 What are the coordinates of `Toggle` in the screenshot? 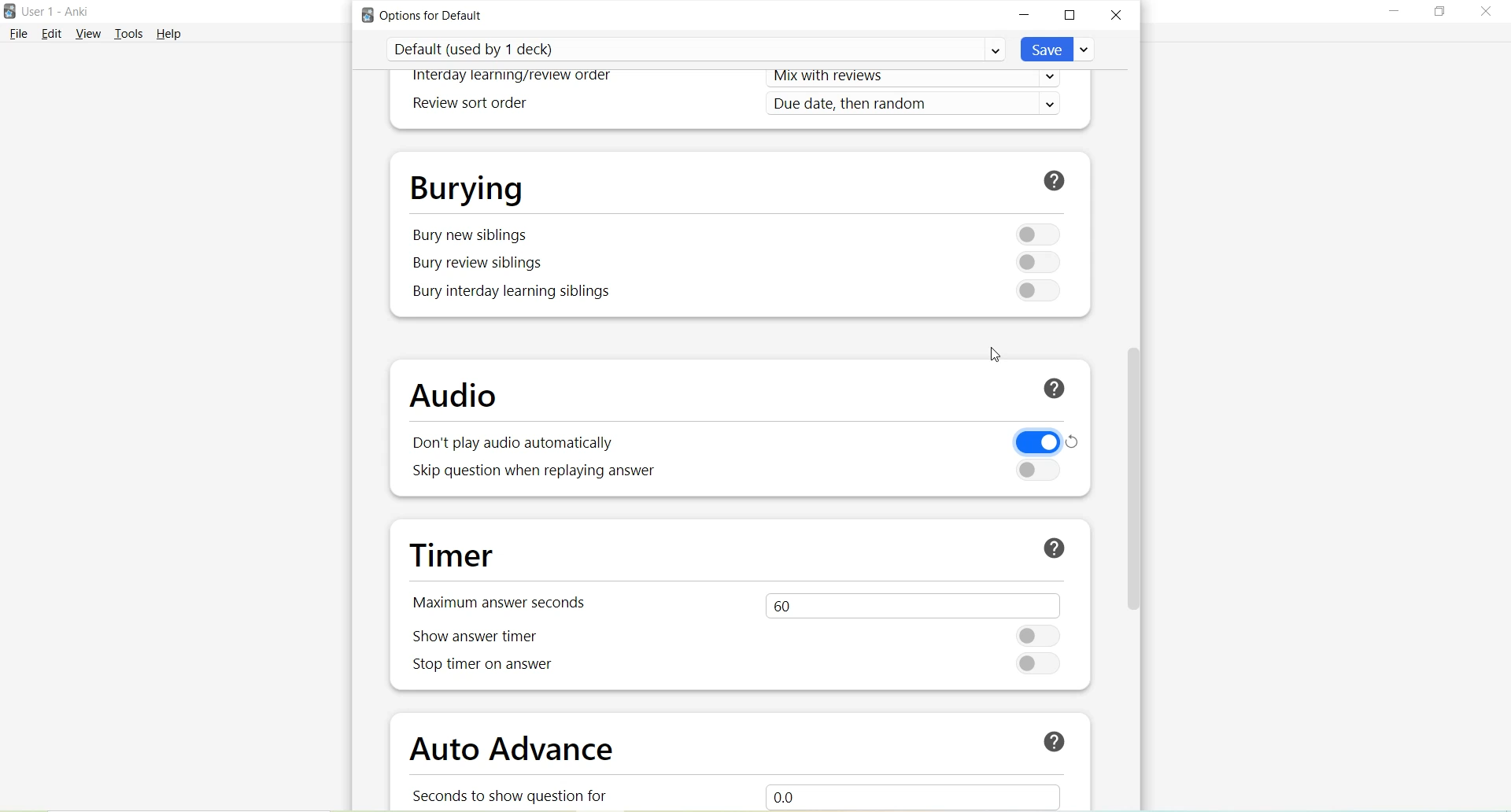 It's located at (1033, 441).